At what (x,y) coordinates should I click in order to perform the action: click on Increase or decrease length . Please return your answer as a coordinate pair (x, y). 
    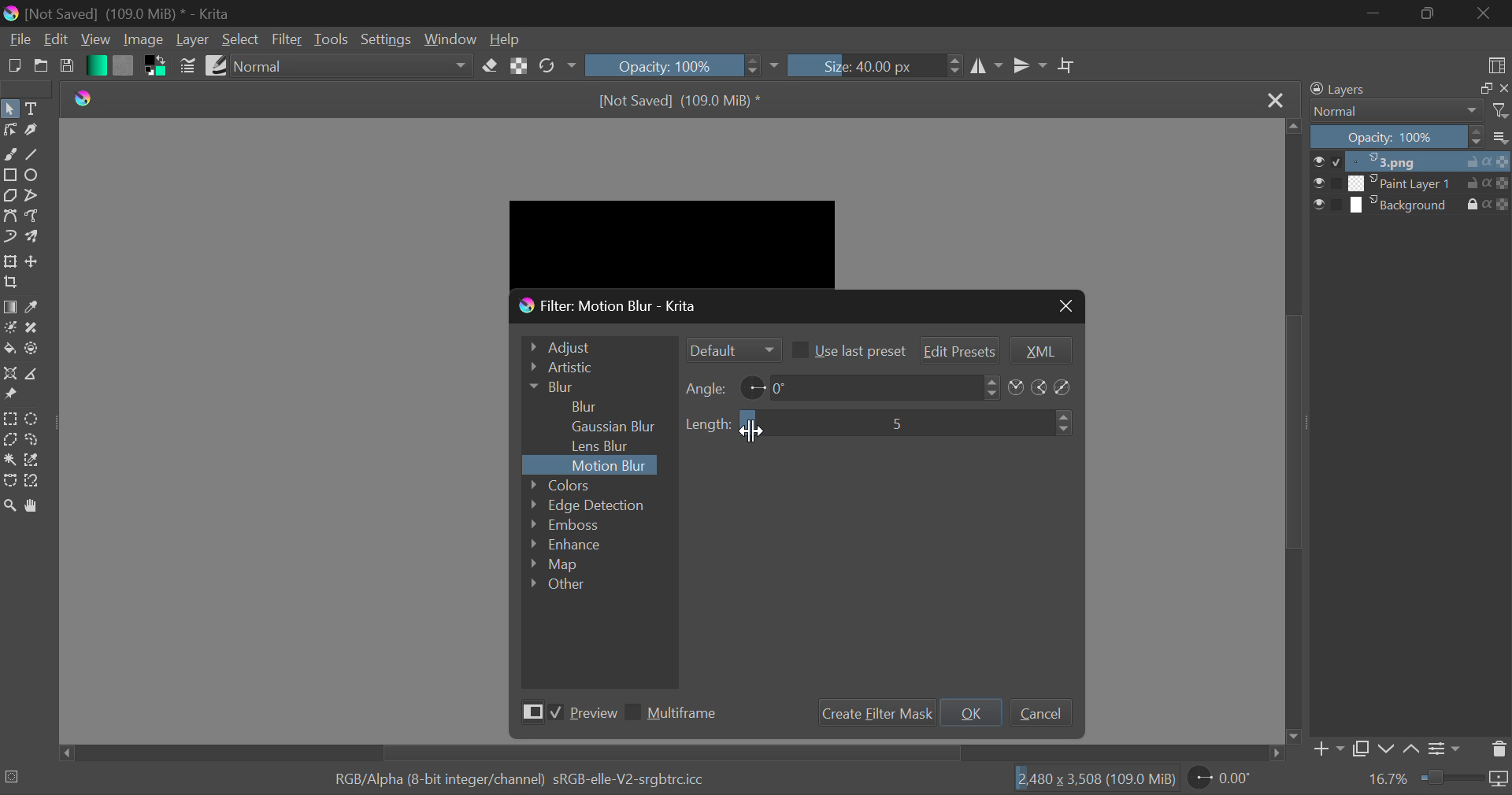
    Looking at the image, I should click on (1065, 423).